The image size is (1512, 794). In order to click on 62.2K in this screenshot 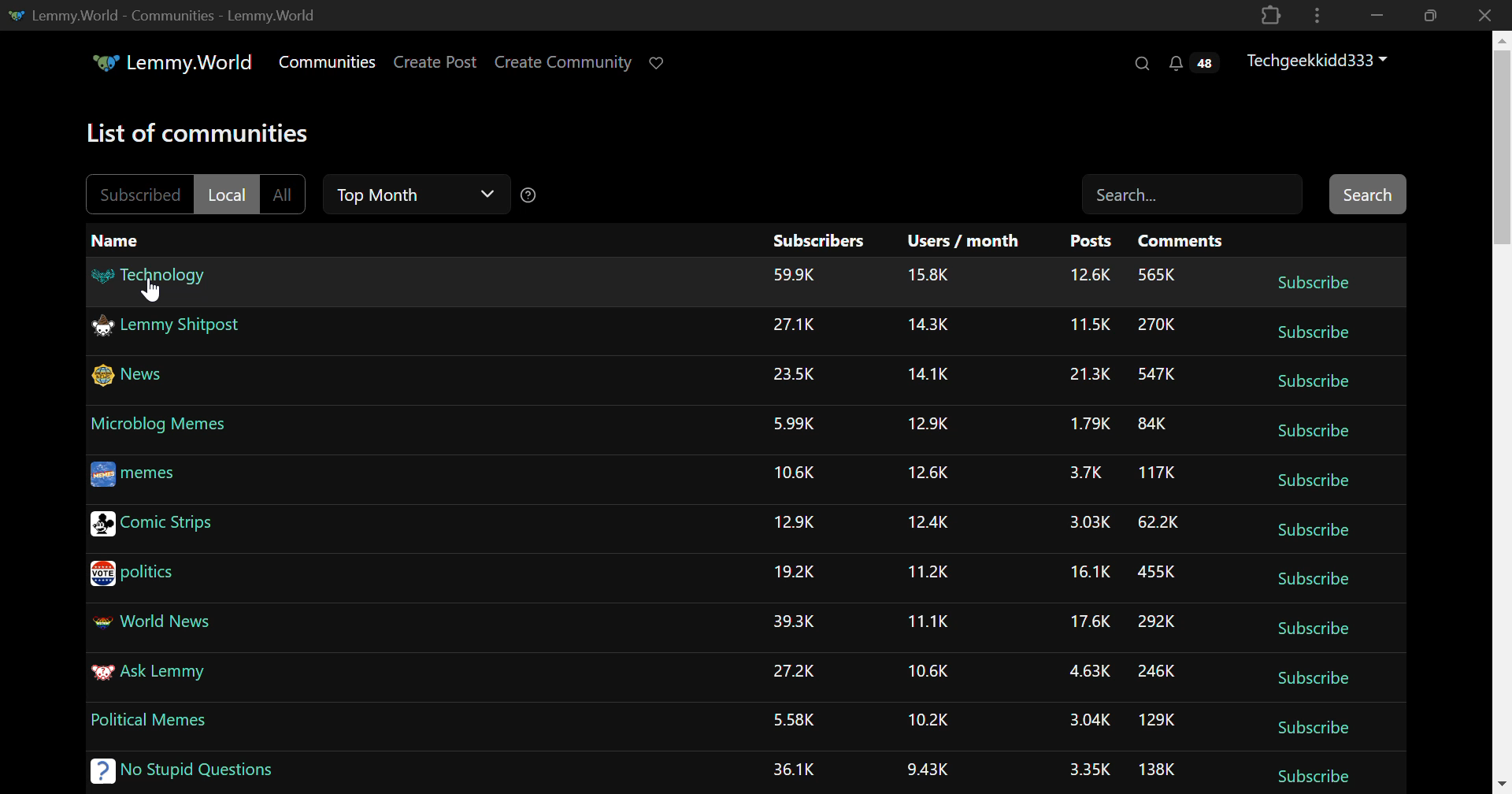, I will do `click(1158, 524)`.